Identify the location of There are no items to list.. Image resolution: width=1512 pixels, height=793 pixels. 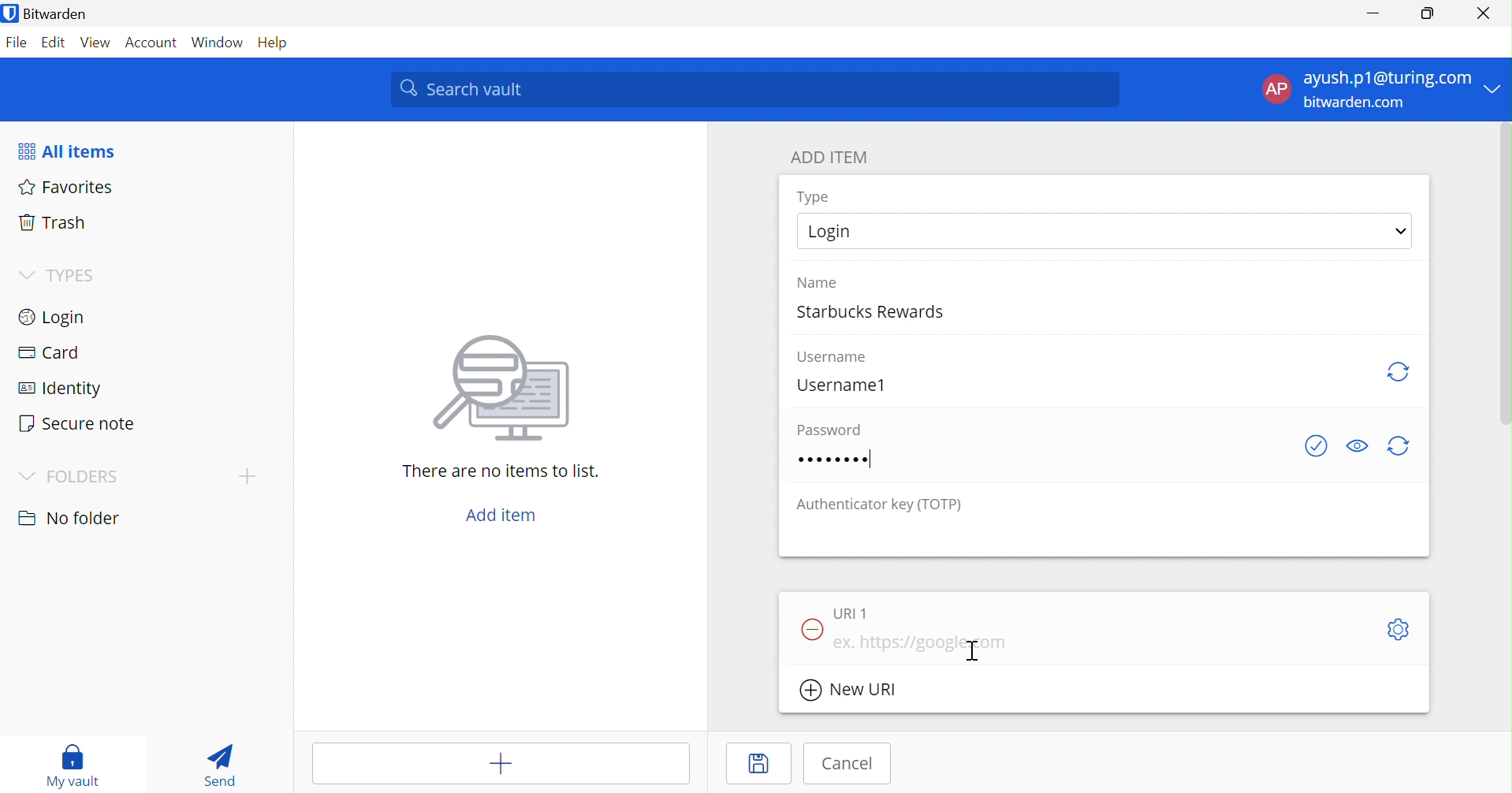
(502, 472).